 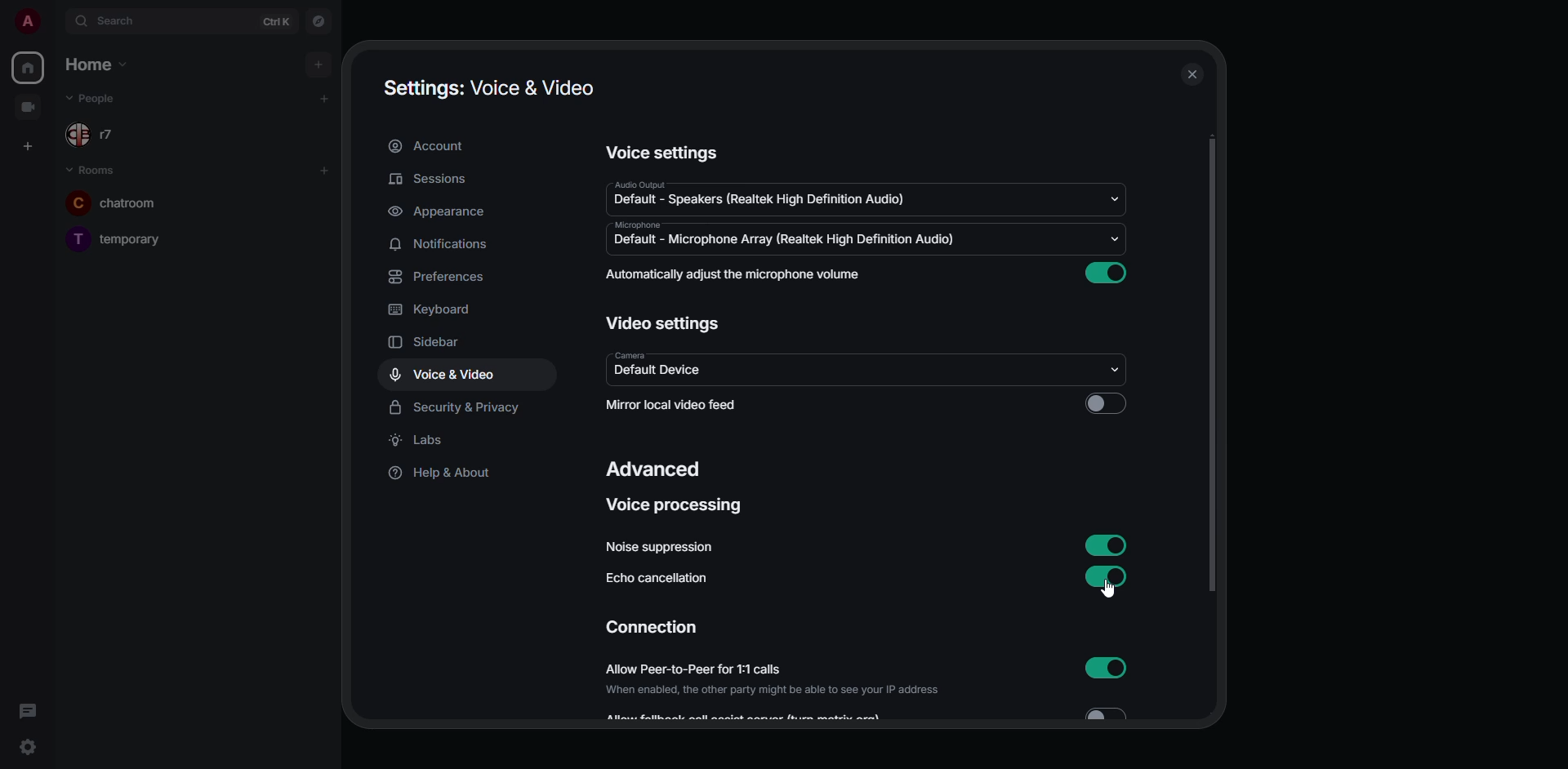 What do you see at coordinates (28, 68) in the screenshot?
I see `home` at bounding box center [28, 68].